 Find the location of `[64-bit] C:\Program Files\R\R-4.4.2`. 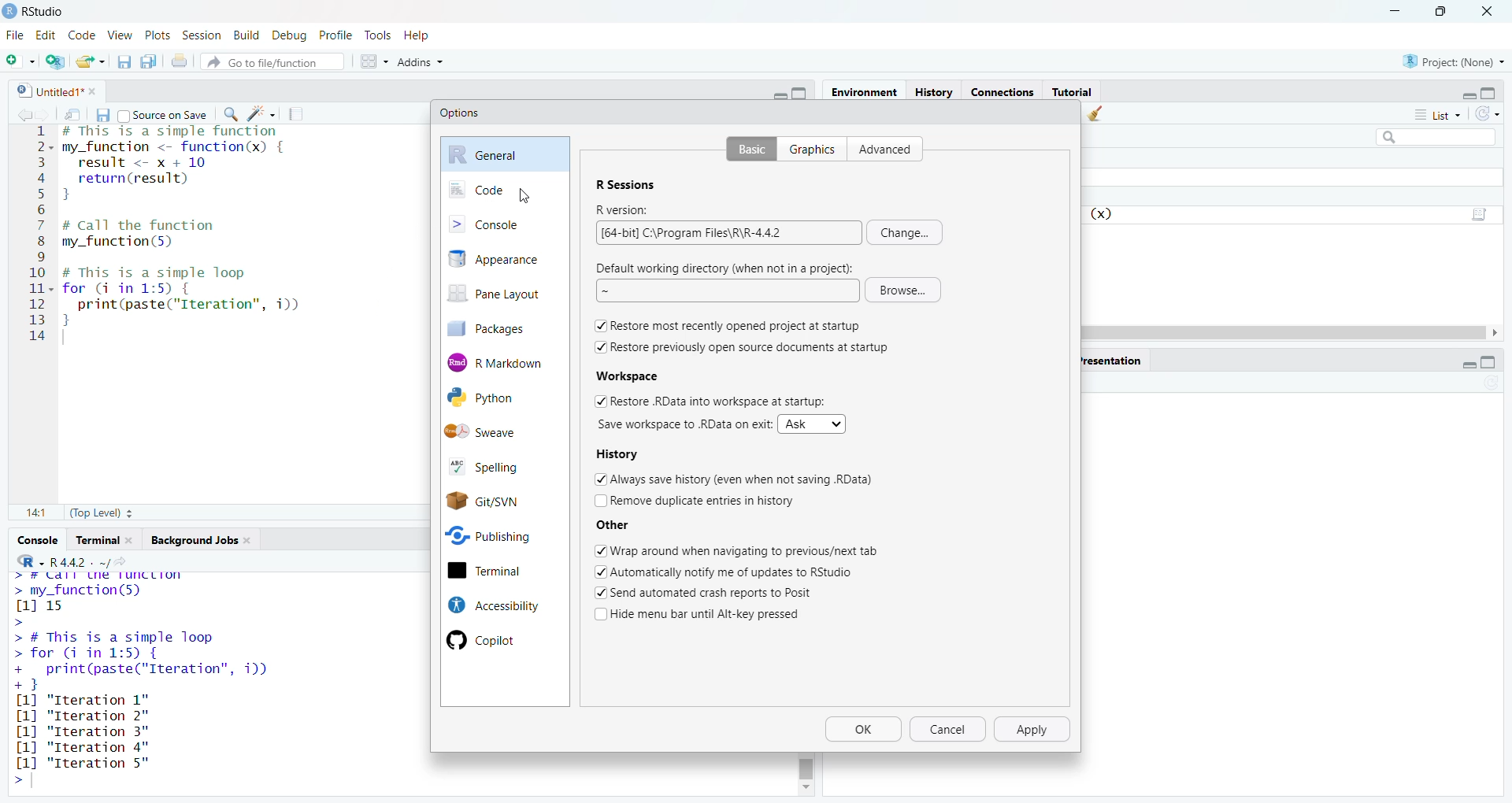

[64-bit] C:\Program Files\R\R-4.4.2 is located at coordinates (727, 234).